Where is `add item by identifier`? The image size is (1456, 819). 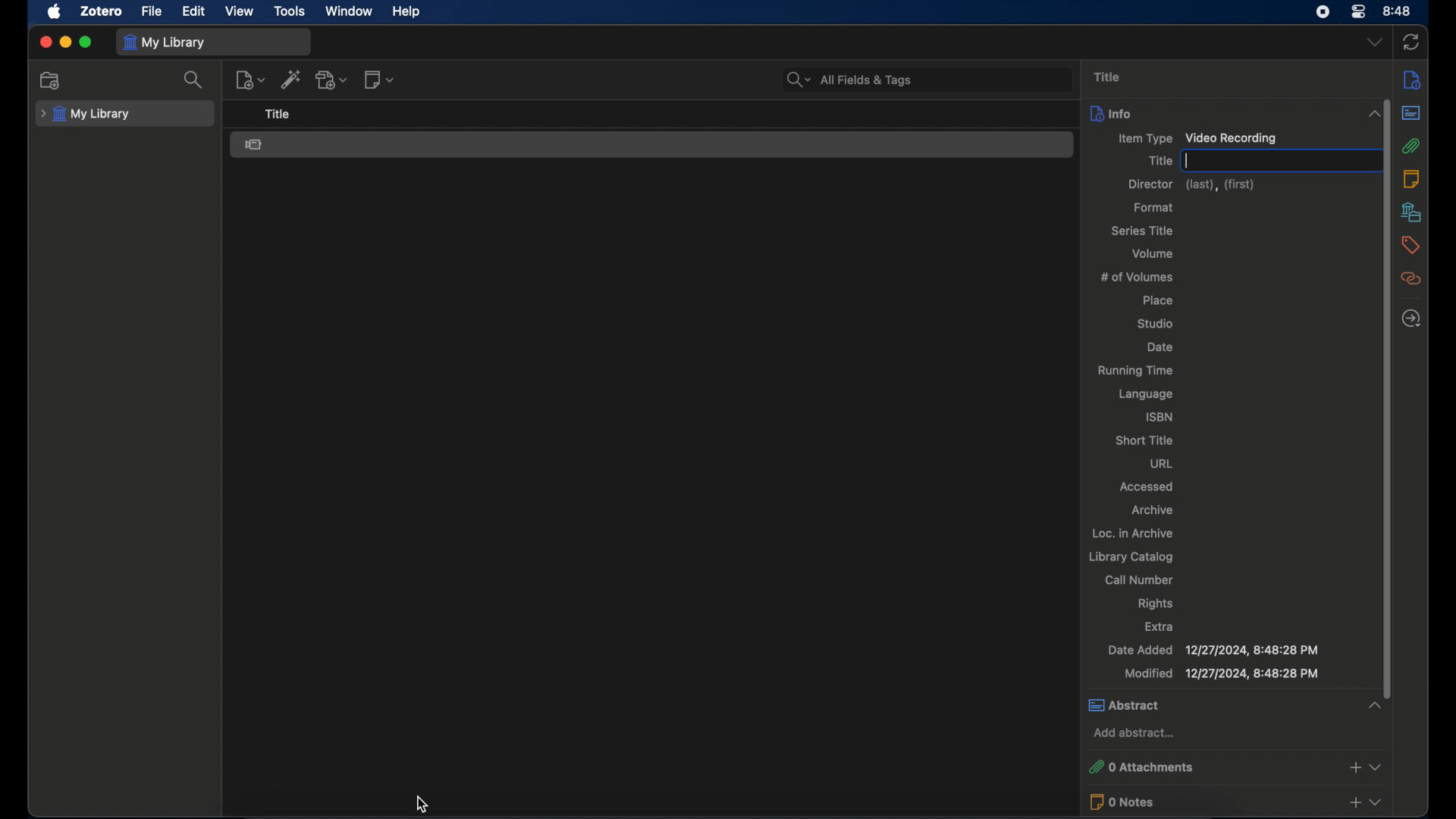 add item by identifier is located at coordinates (292, 80).